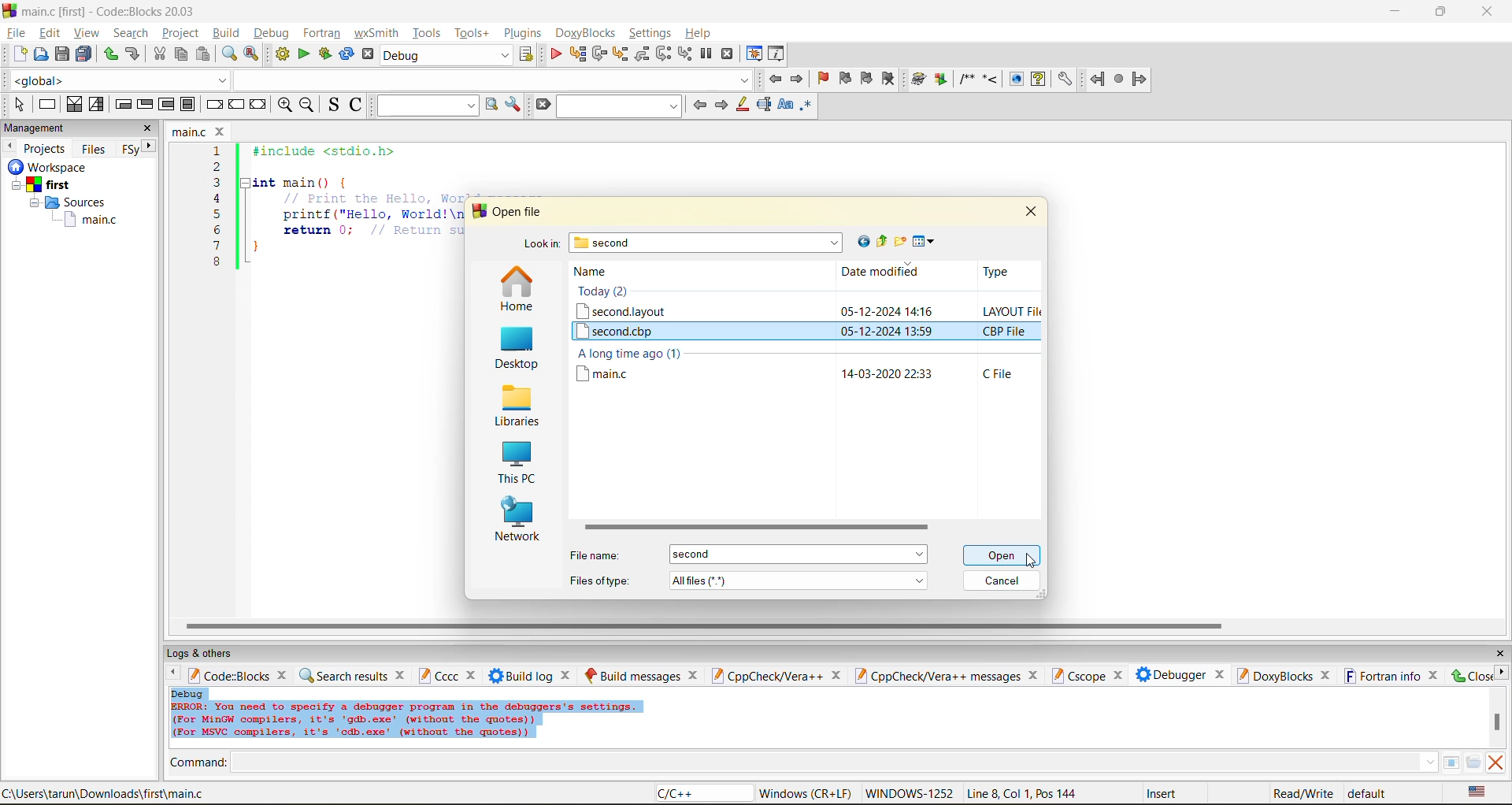 The height and width of the screenshot is (805, 1512). Describe the element at coordinates (520, 212) in the screenshot. I see `open file` at that location.